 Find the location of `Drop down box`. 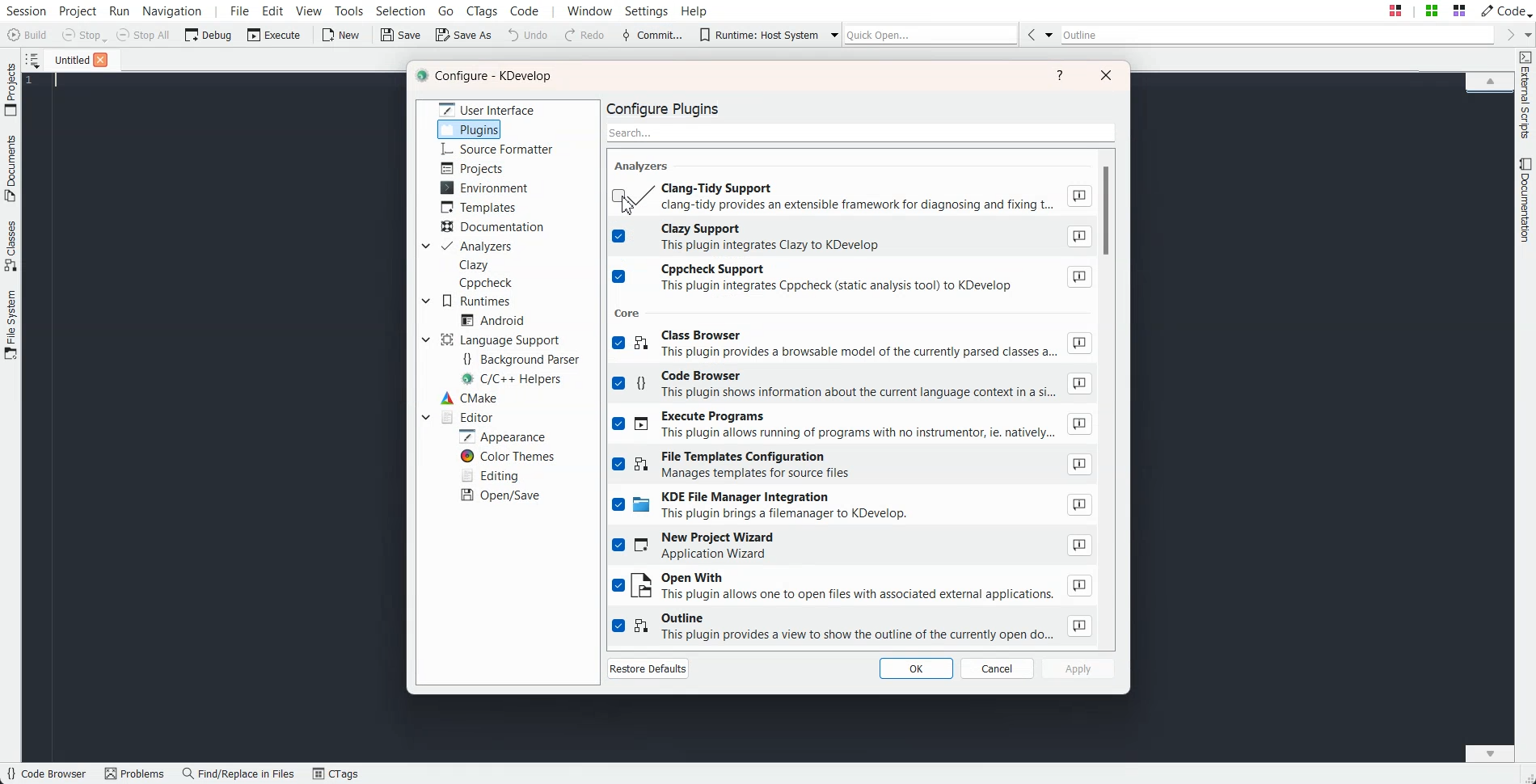

Drop down box is located at coordinates (425, 416).